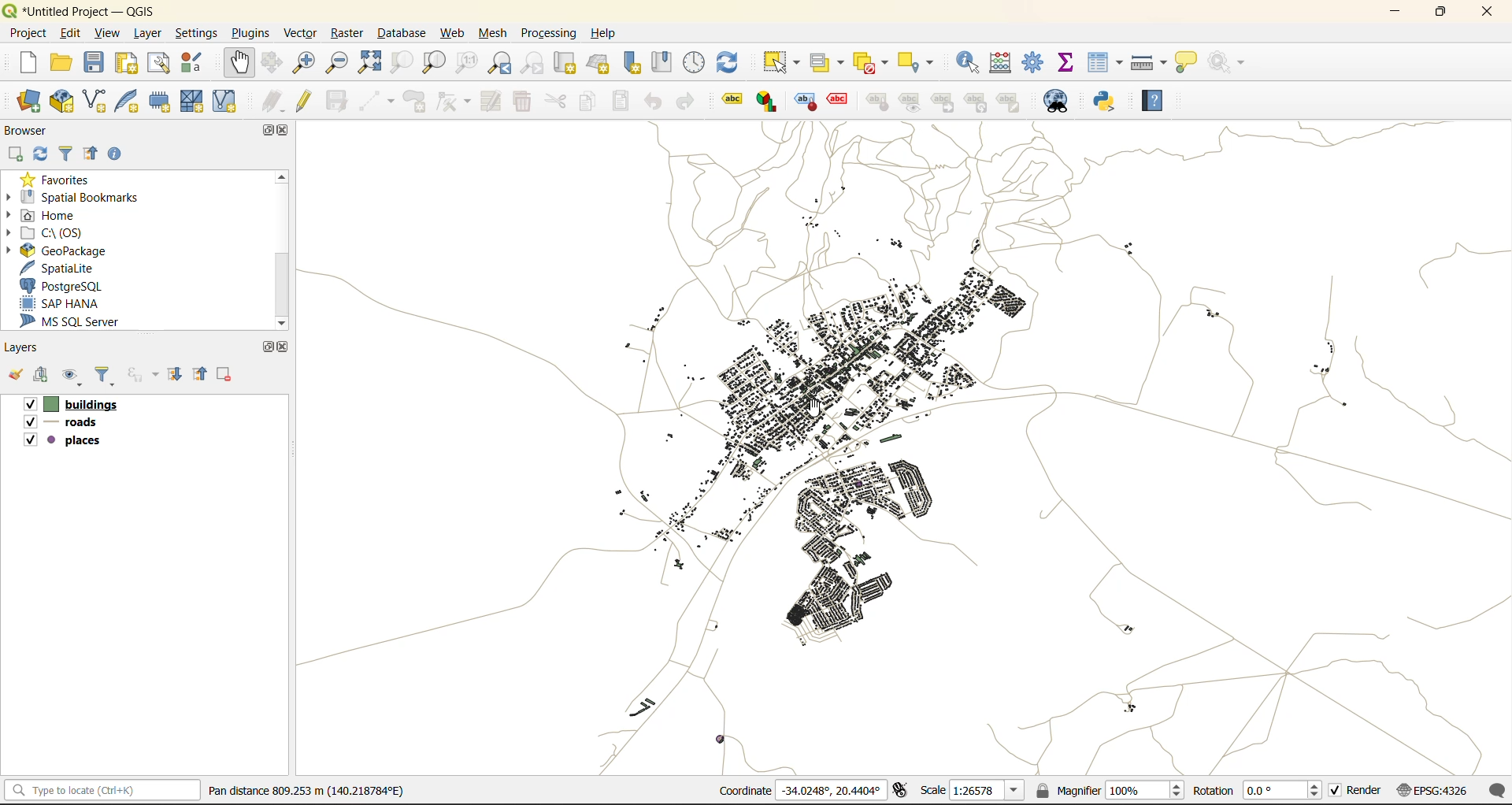 The height and width of the screenshot is (805, 1512). I want to click on attributes table, so click(1105, 65).